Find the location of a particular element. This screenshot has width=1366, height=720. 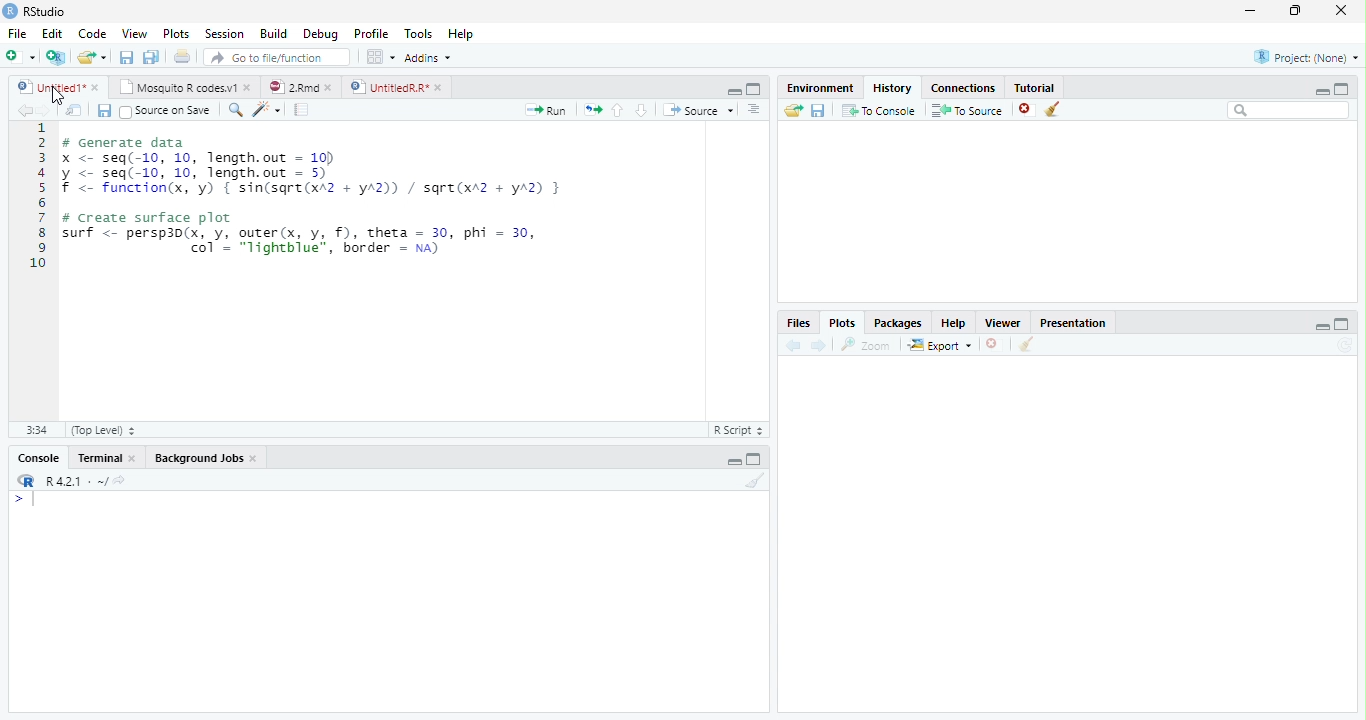

minimize is located at coordinates (1322, 91).